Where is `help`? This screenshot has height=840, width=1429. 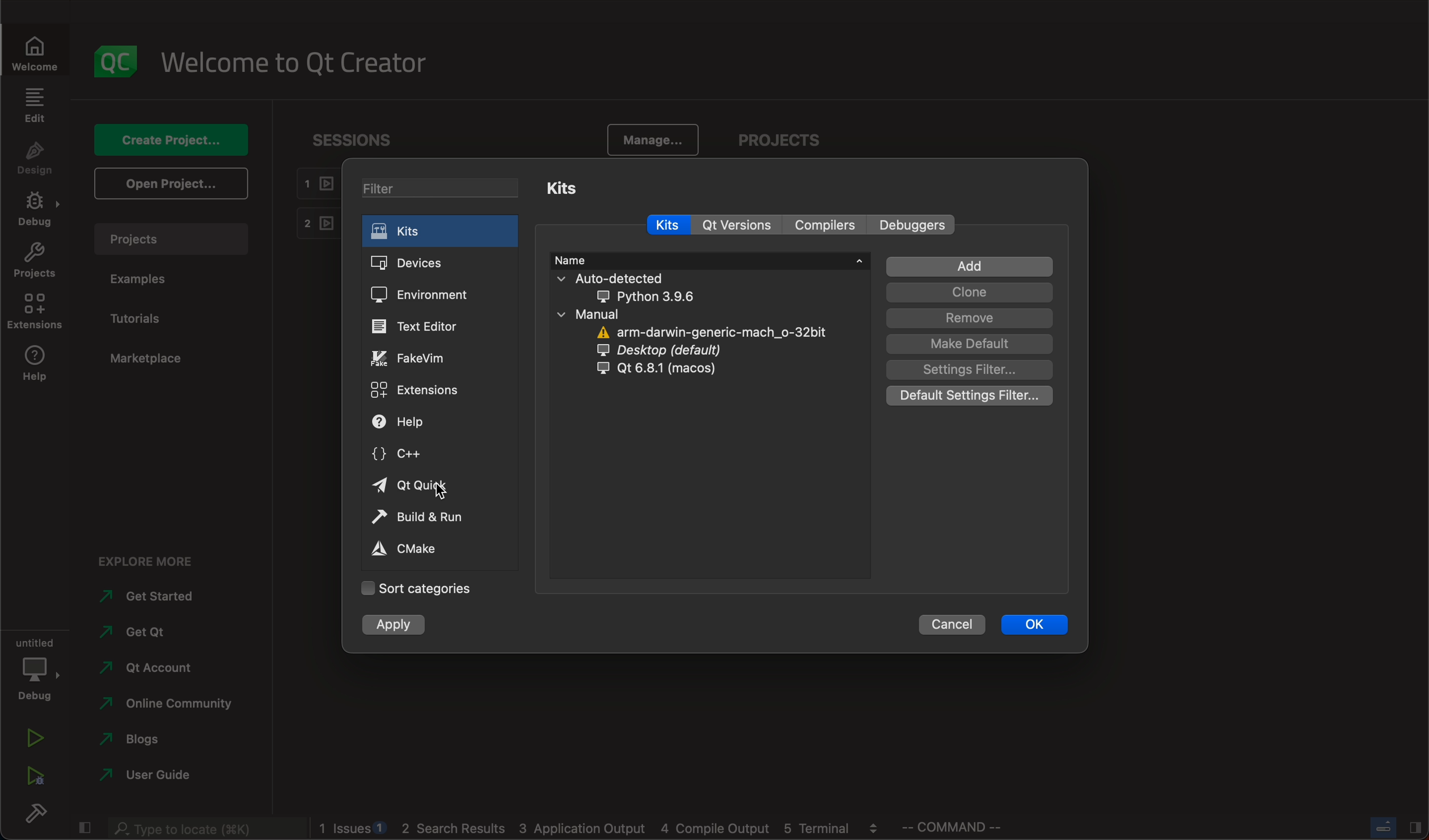
help is located at coordinates (35, 366).